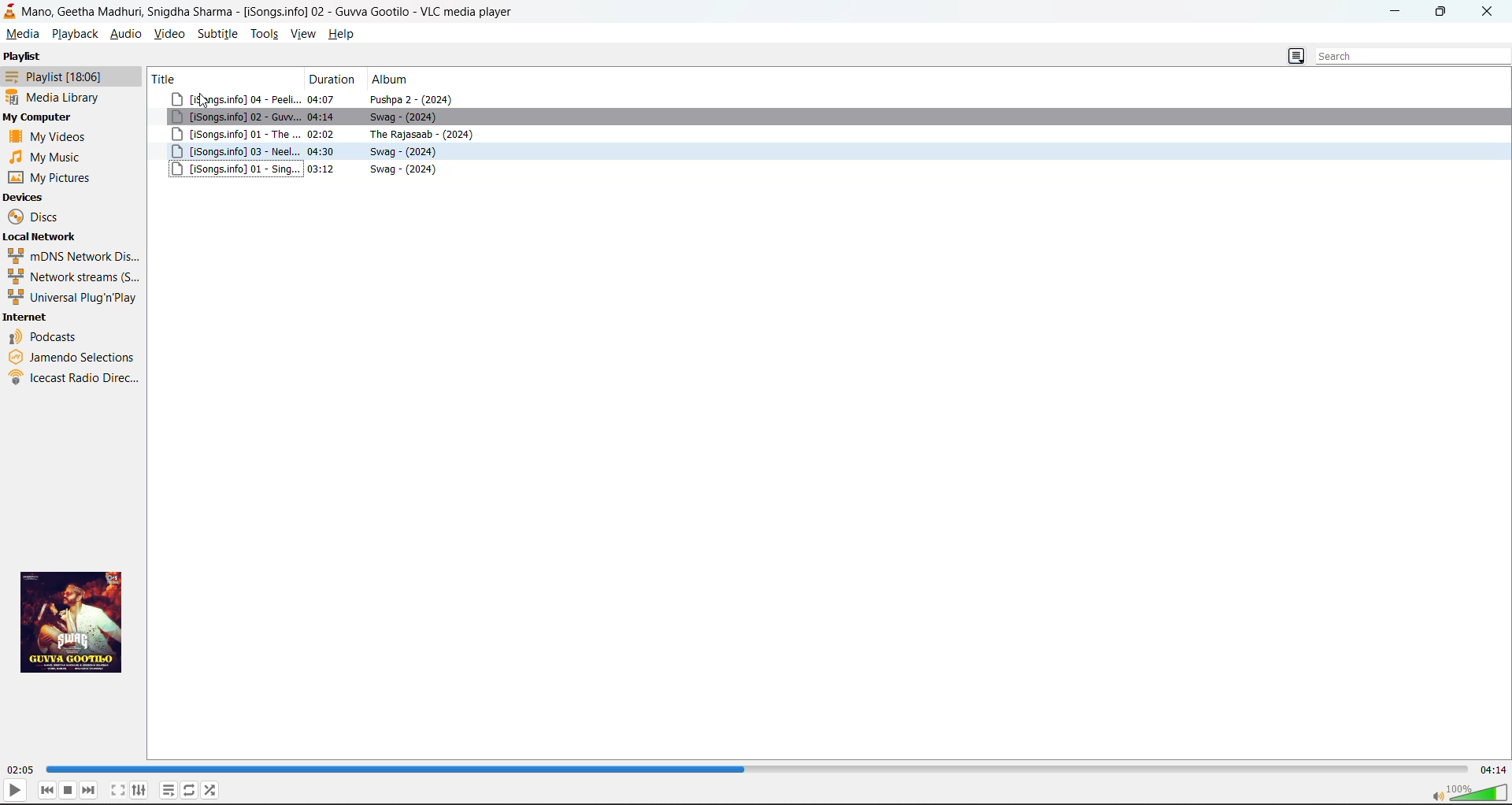  I want to click on universal plug n play, so click(71, 298).